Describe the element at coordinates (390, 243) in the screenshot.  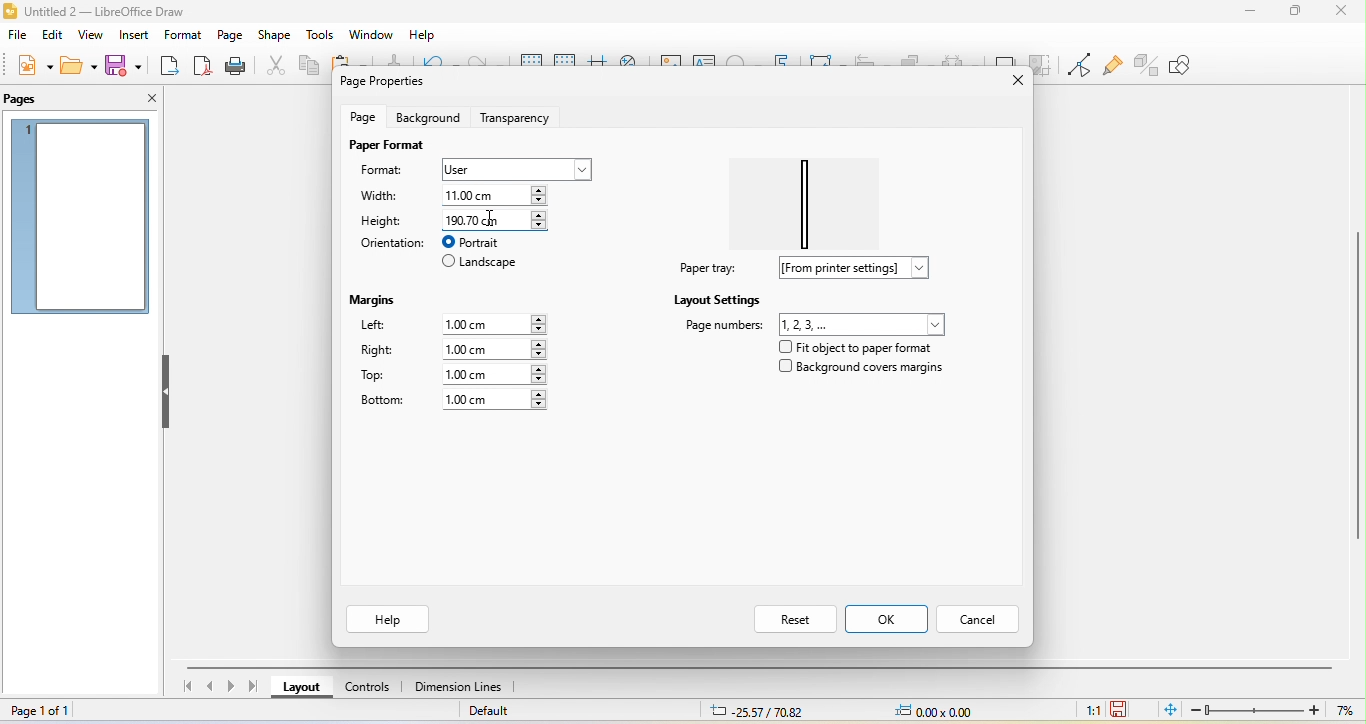
I see `orientation` at that location.